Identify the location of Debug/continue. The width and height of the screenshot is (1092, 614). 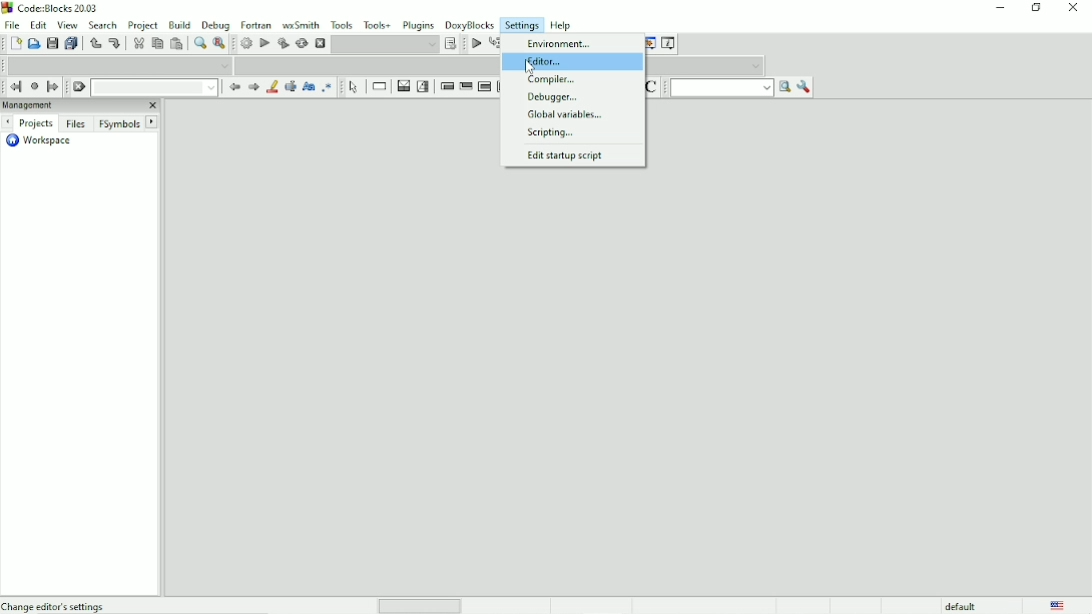
(475, 44).